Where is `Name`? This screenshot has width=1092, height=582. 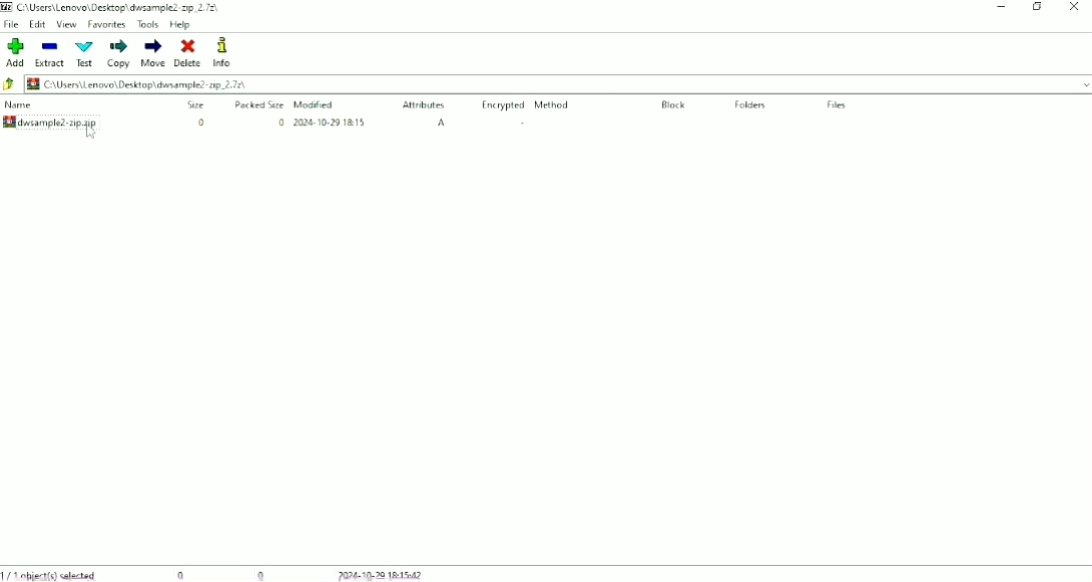
Name is located at coordinates (20, 105).